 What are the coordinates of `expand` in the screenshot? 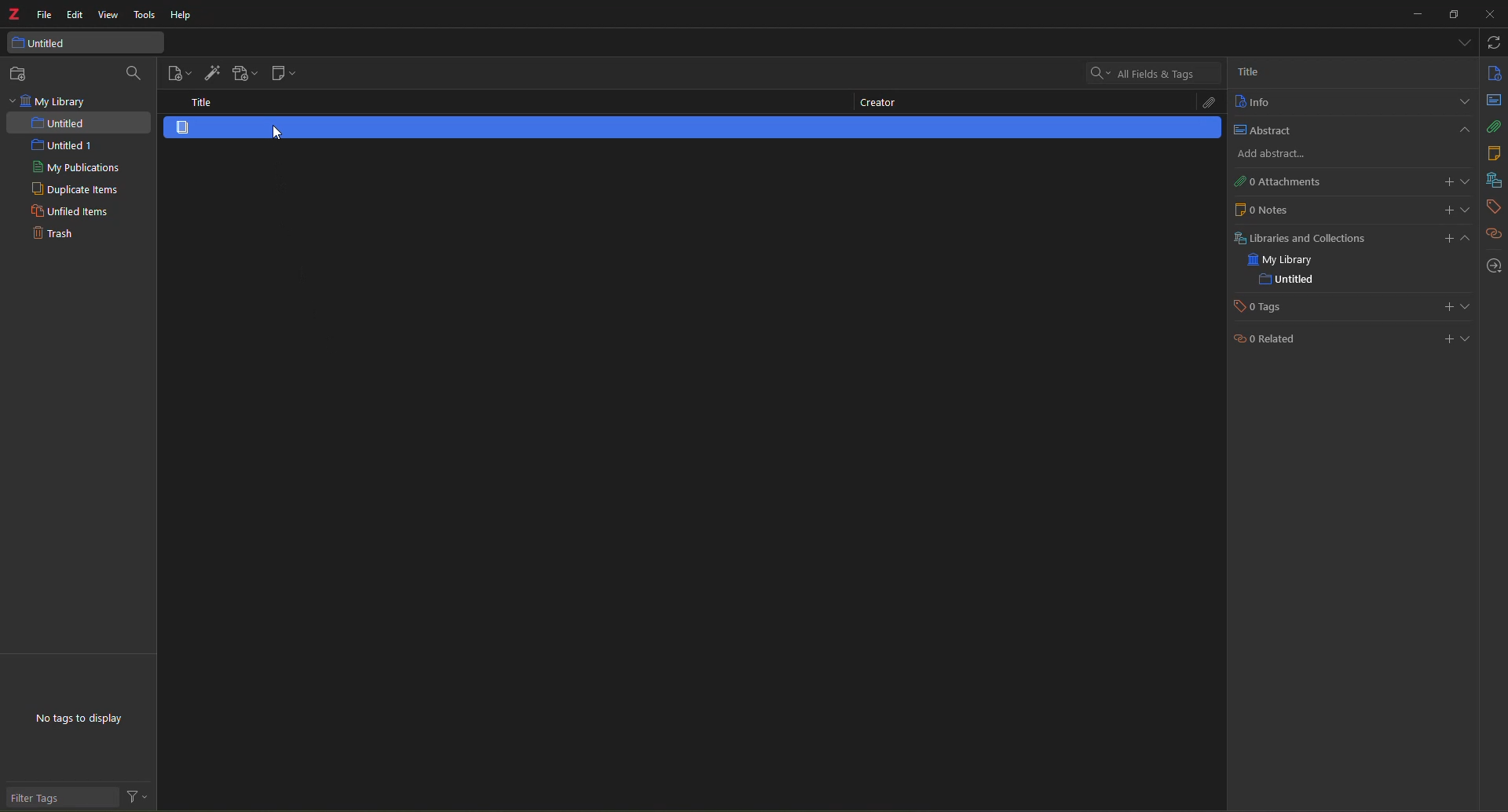 It's located at (1466, 306).